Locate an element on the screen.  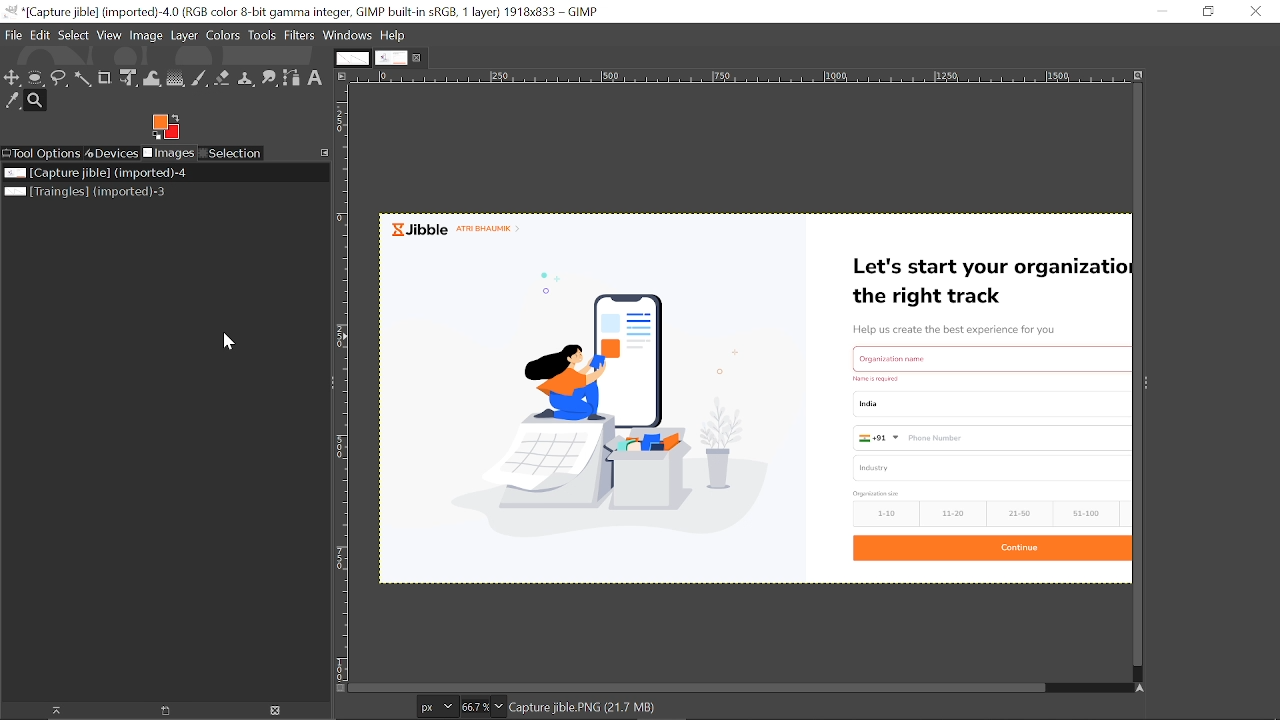
Pixels is located at coordinates (438, 706).